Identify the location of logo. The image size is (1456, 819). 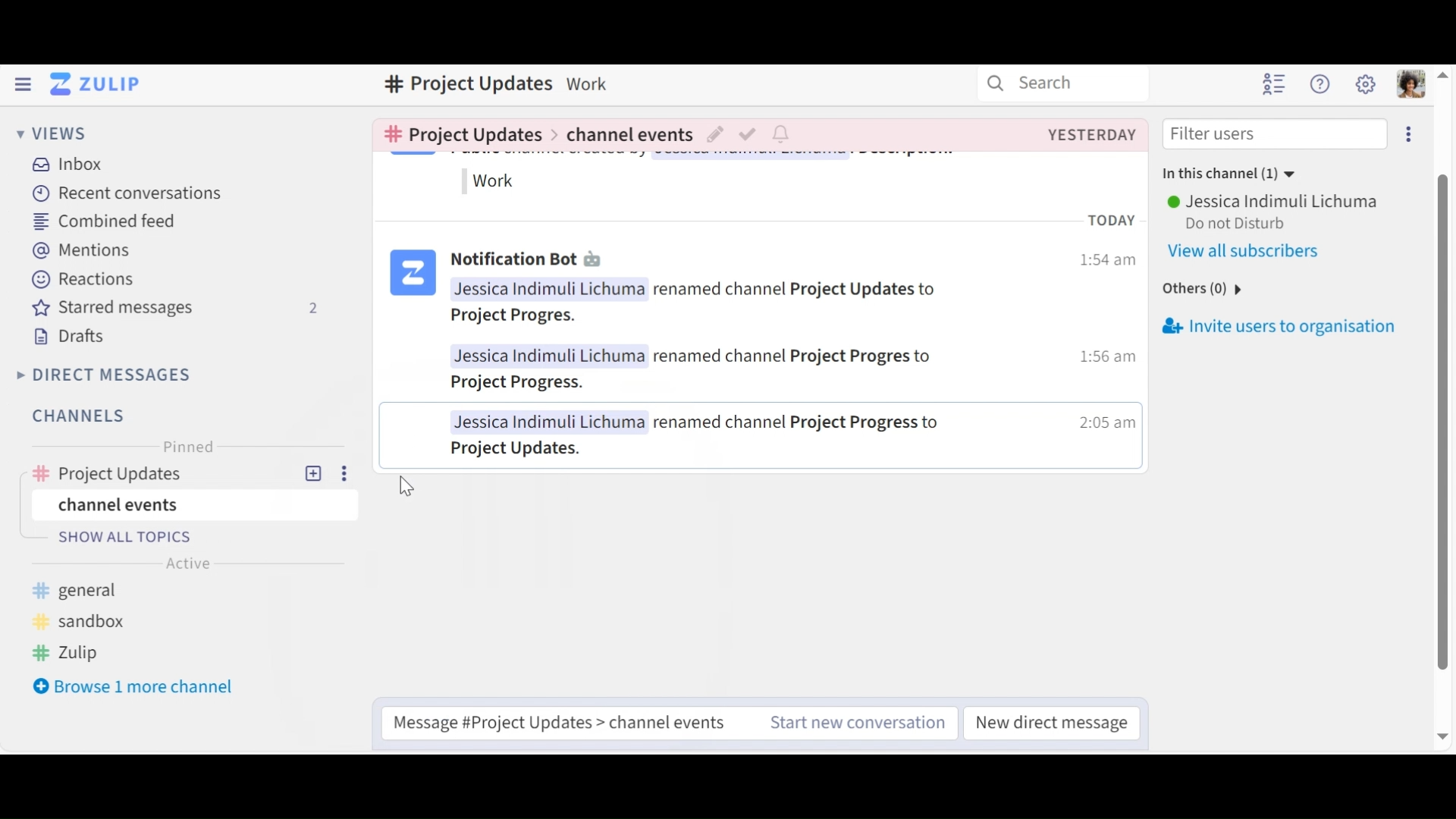
(413, 275).